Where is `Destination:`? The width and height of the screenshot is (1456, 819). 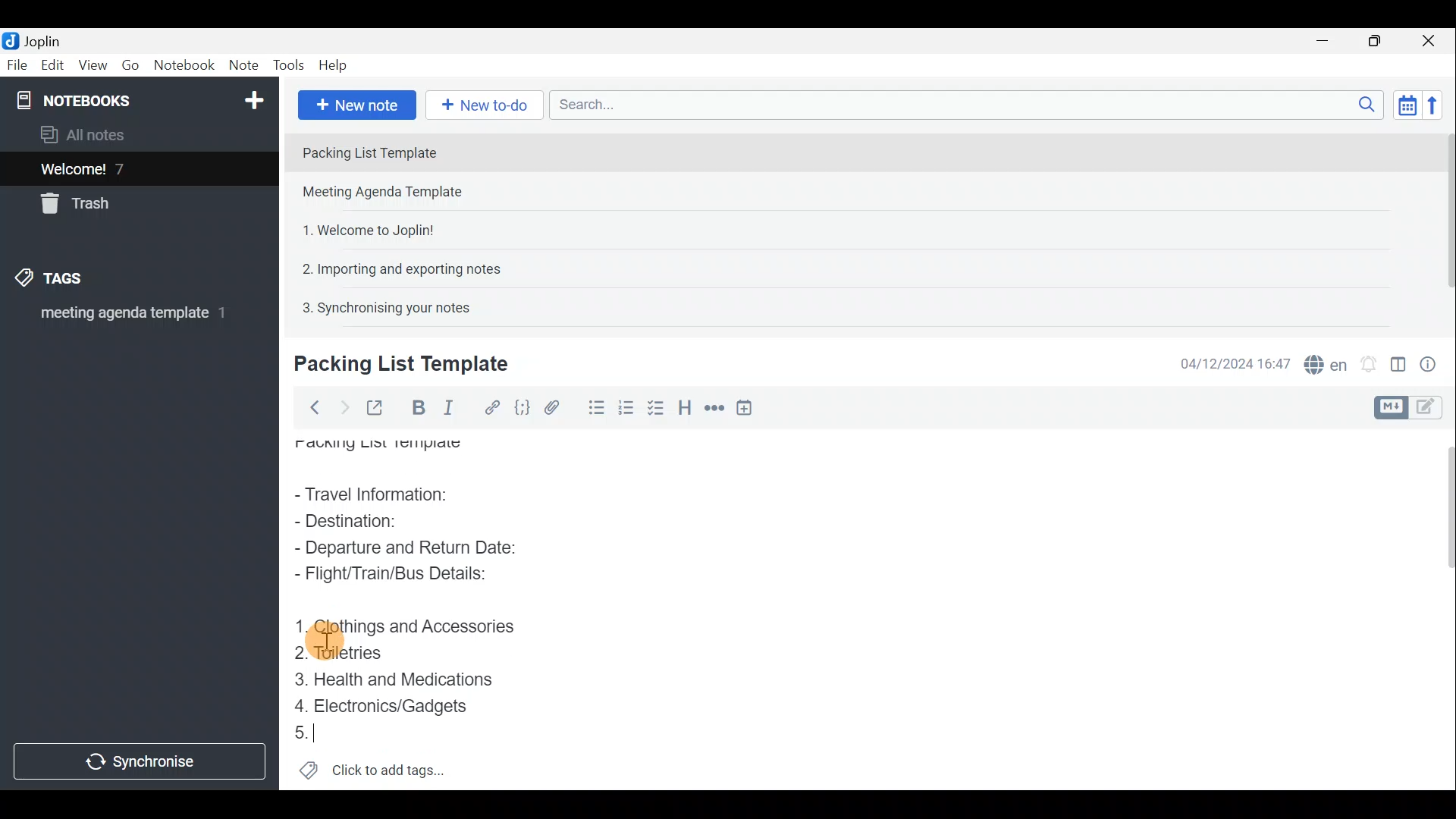 Destination: is located at coordinates (380, 522).